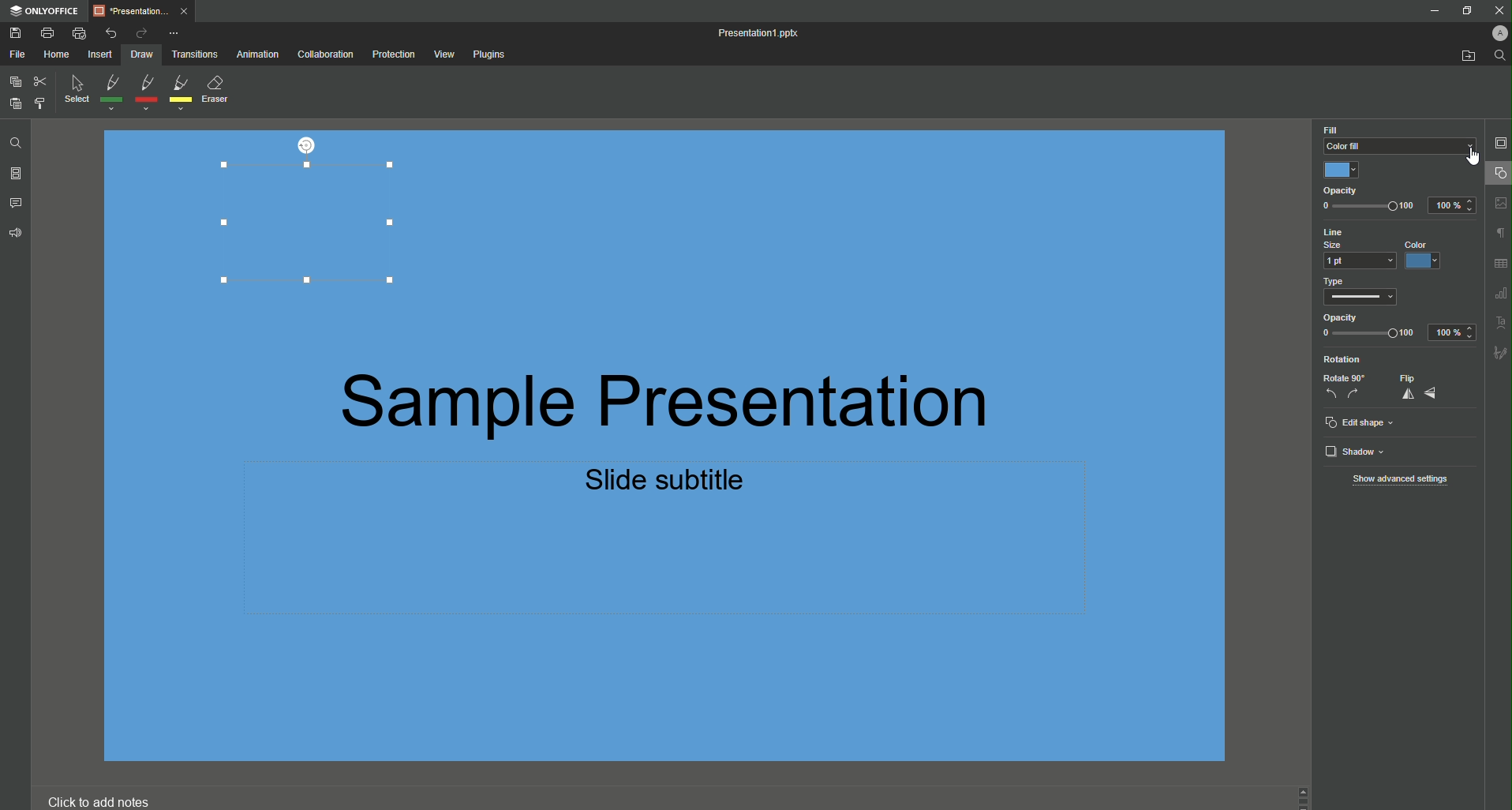  Describe the element at coordinates (1434, 11) in the screenshot. I see `Minimize` at that location.